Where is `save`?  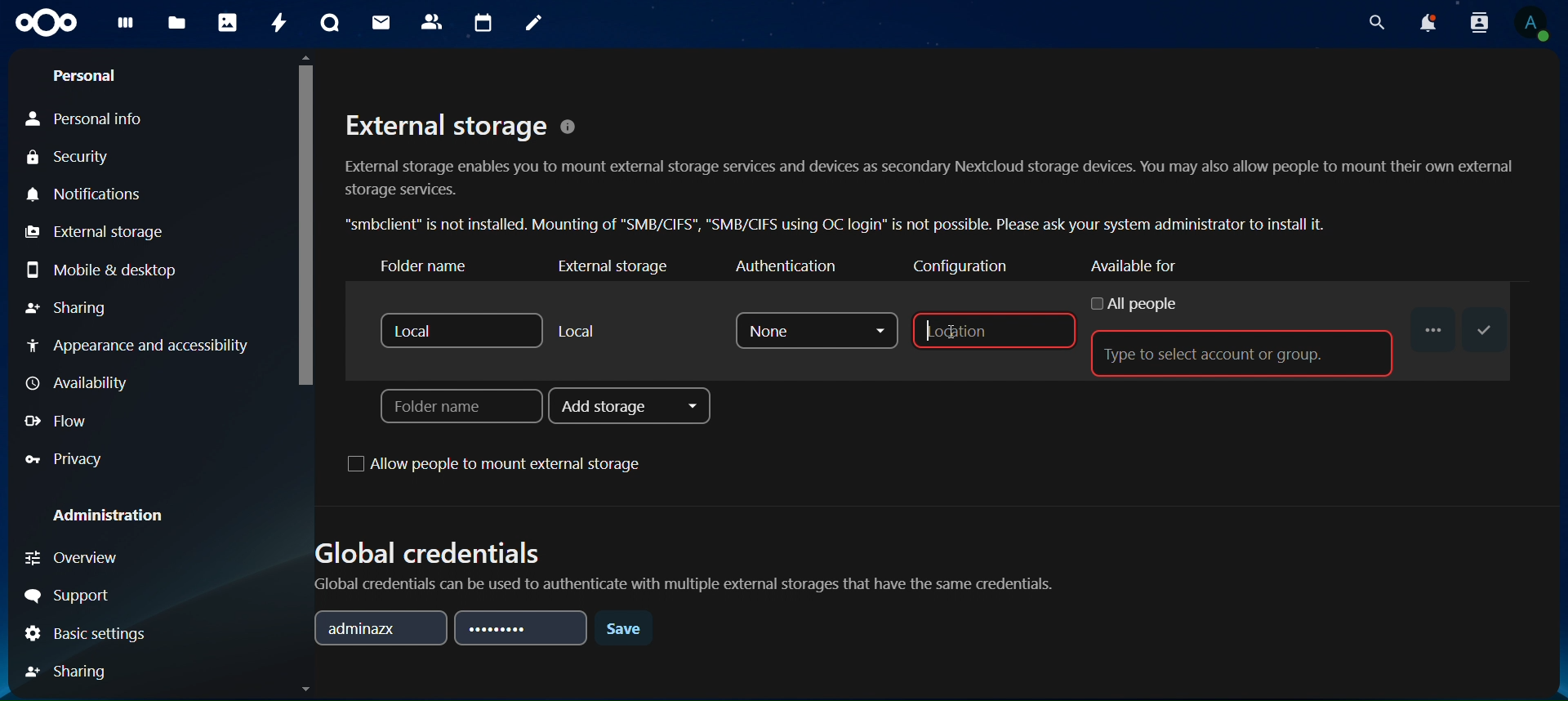 save is located at coordinates (626, 632).